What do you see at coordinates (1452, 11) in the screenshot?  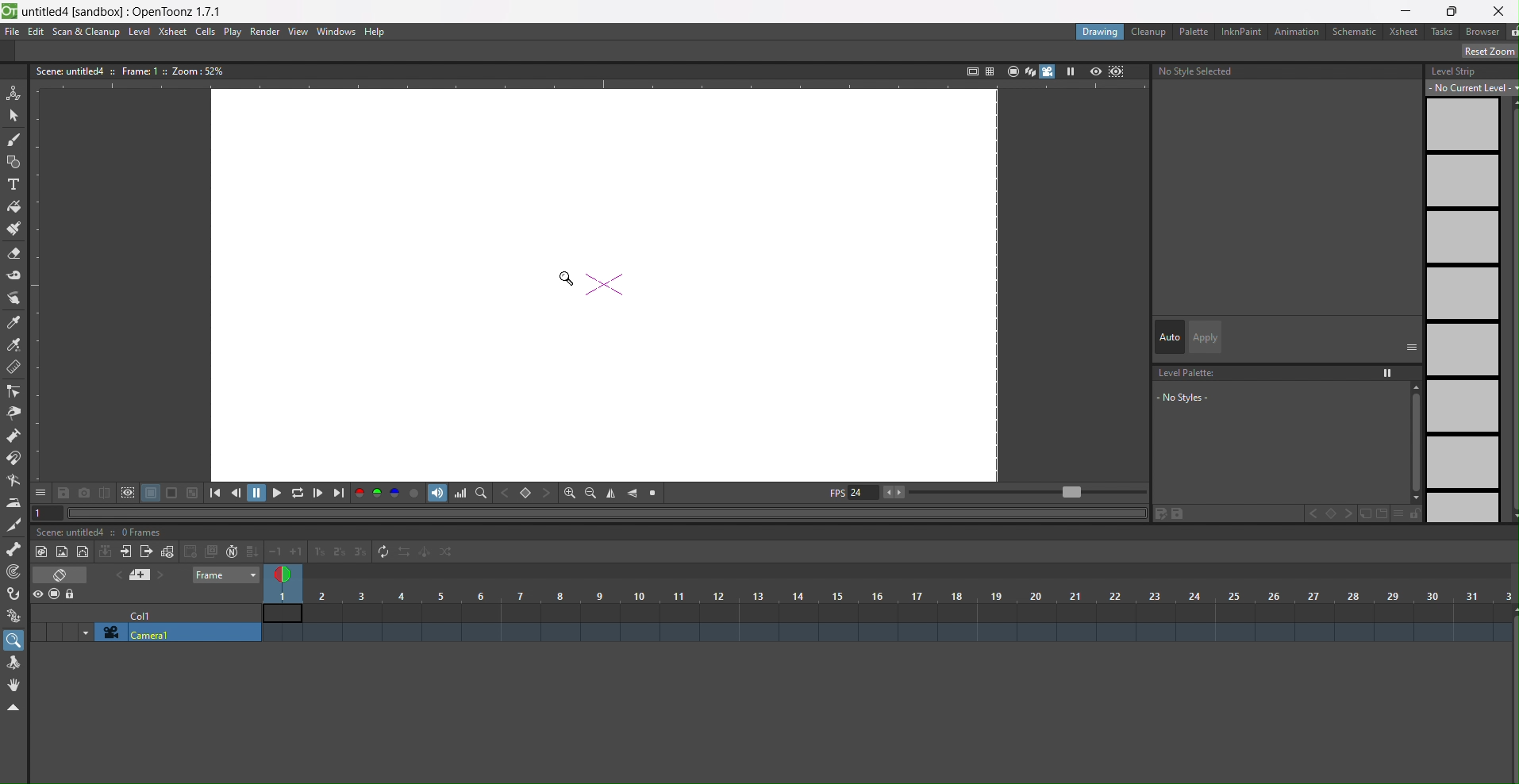 I see `restore window` at bounding box center [1452, 11].